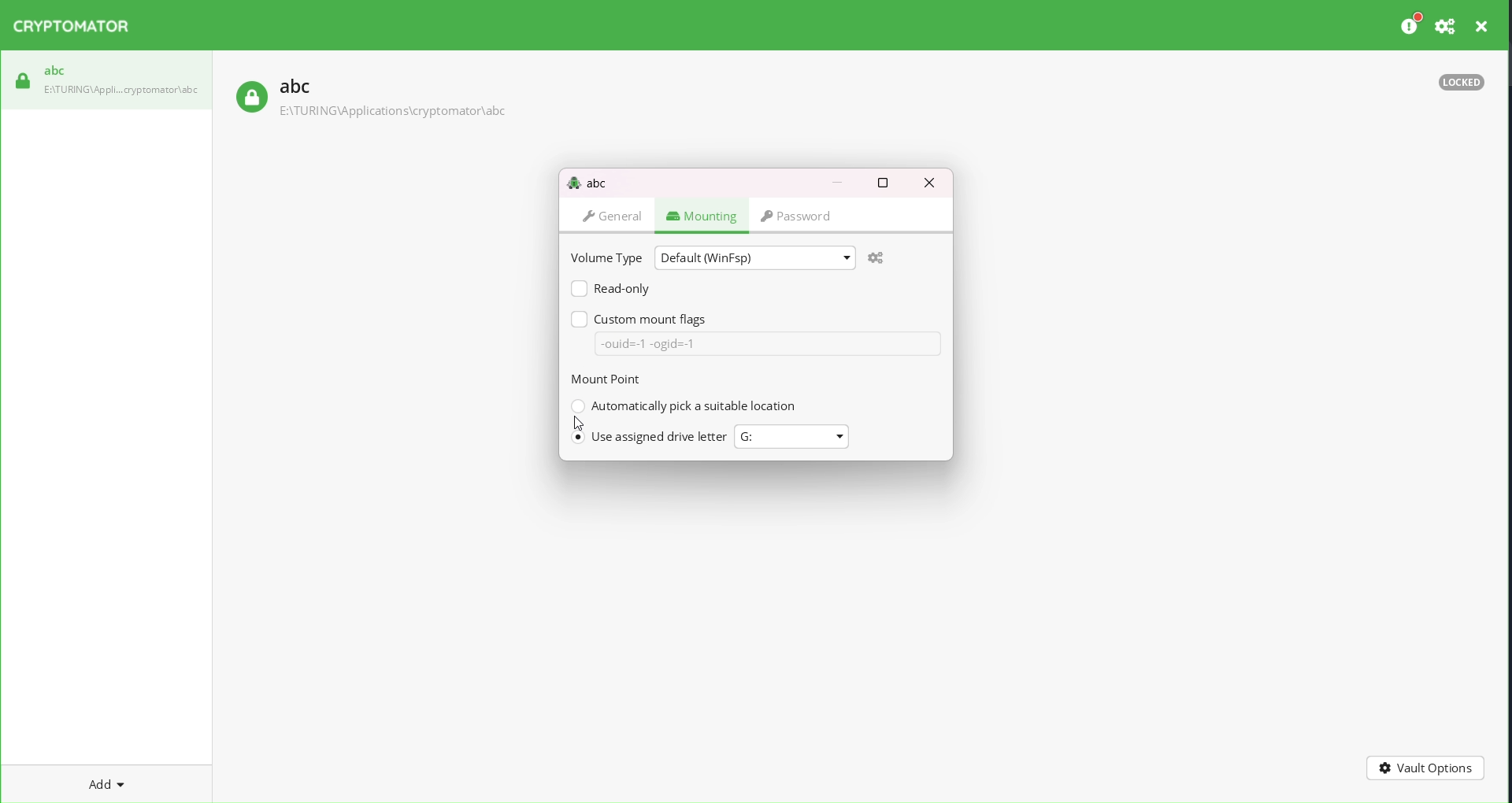 The width and height of the screenshot is (1512, 803). Describe the element at coordinates (605, 257) in the screenshot. I see `volume type` at that location.